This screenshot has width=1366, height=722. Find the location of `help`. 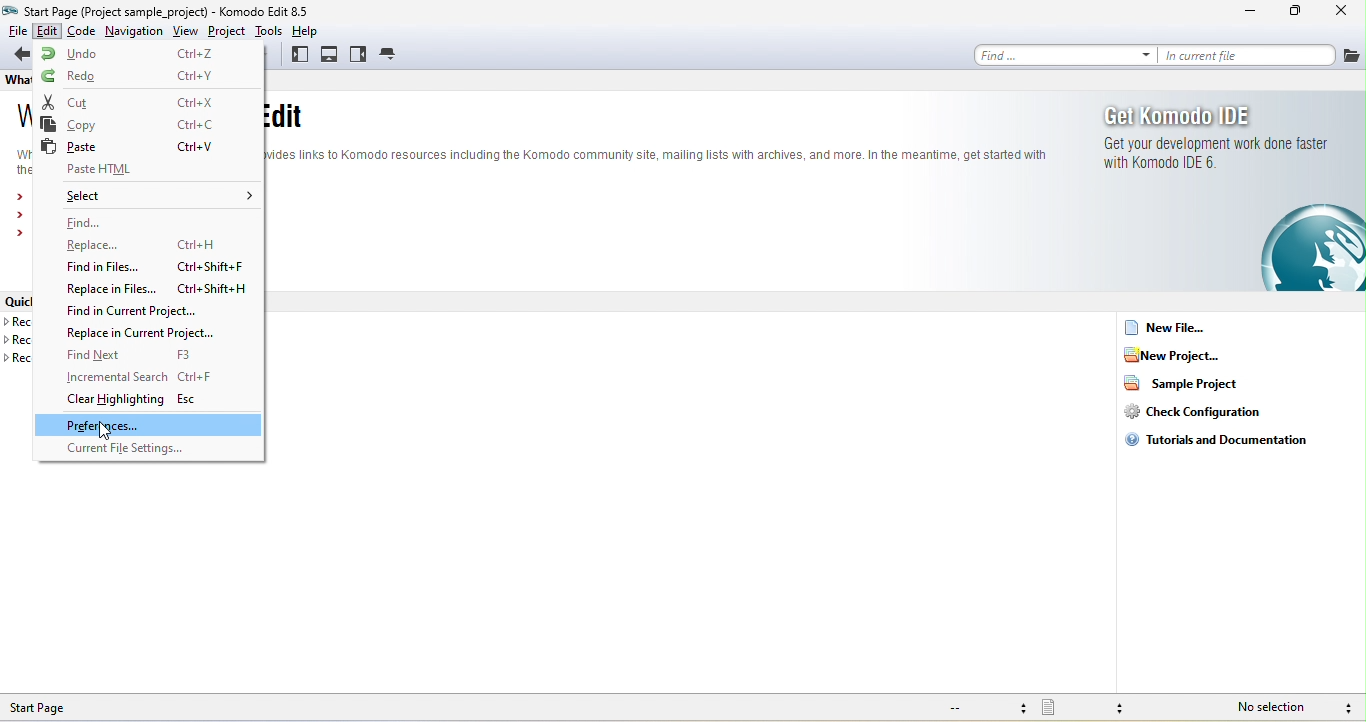

help is located at coordinates (312, 31).